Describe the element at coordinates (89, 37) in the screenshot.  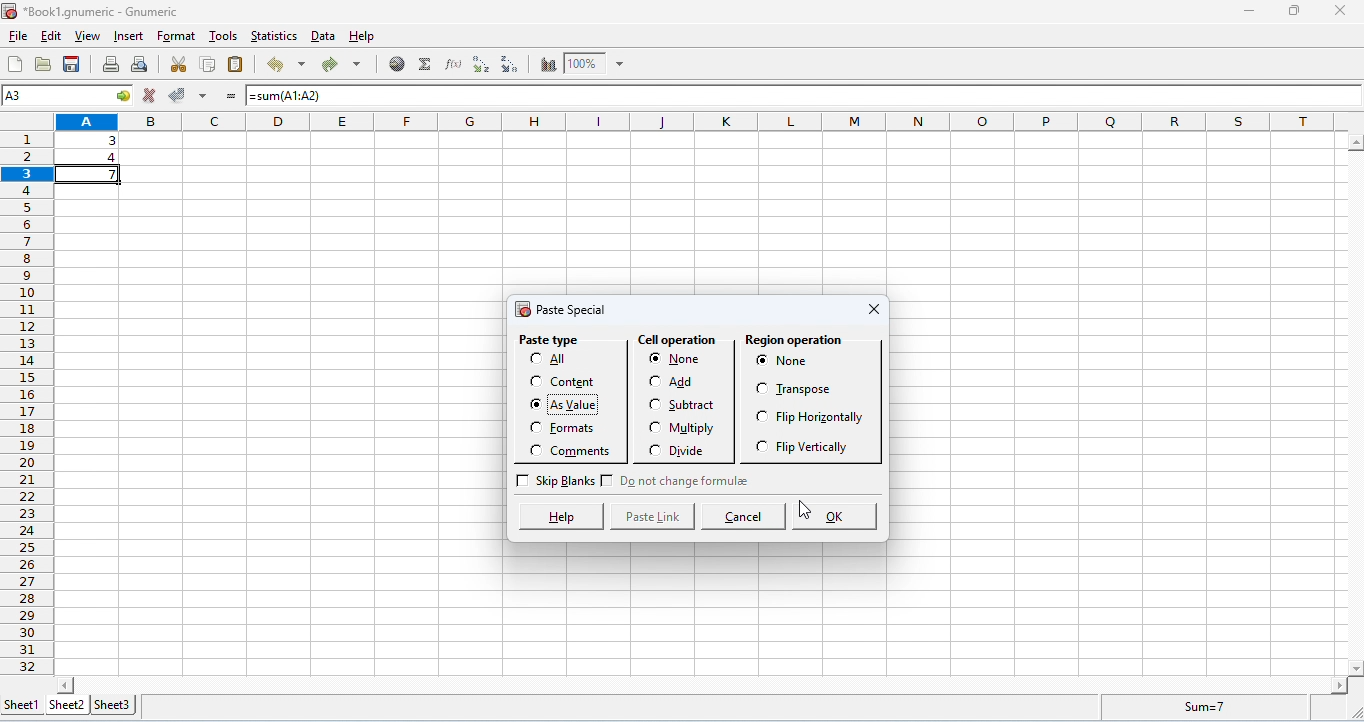
I see `view` at that location.